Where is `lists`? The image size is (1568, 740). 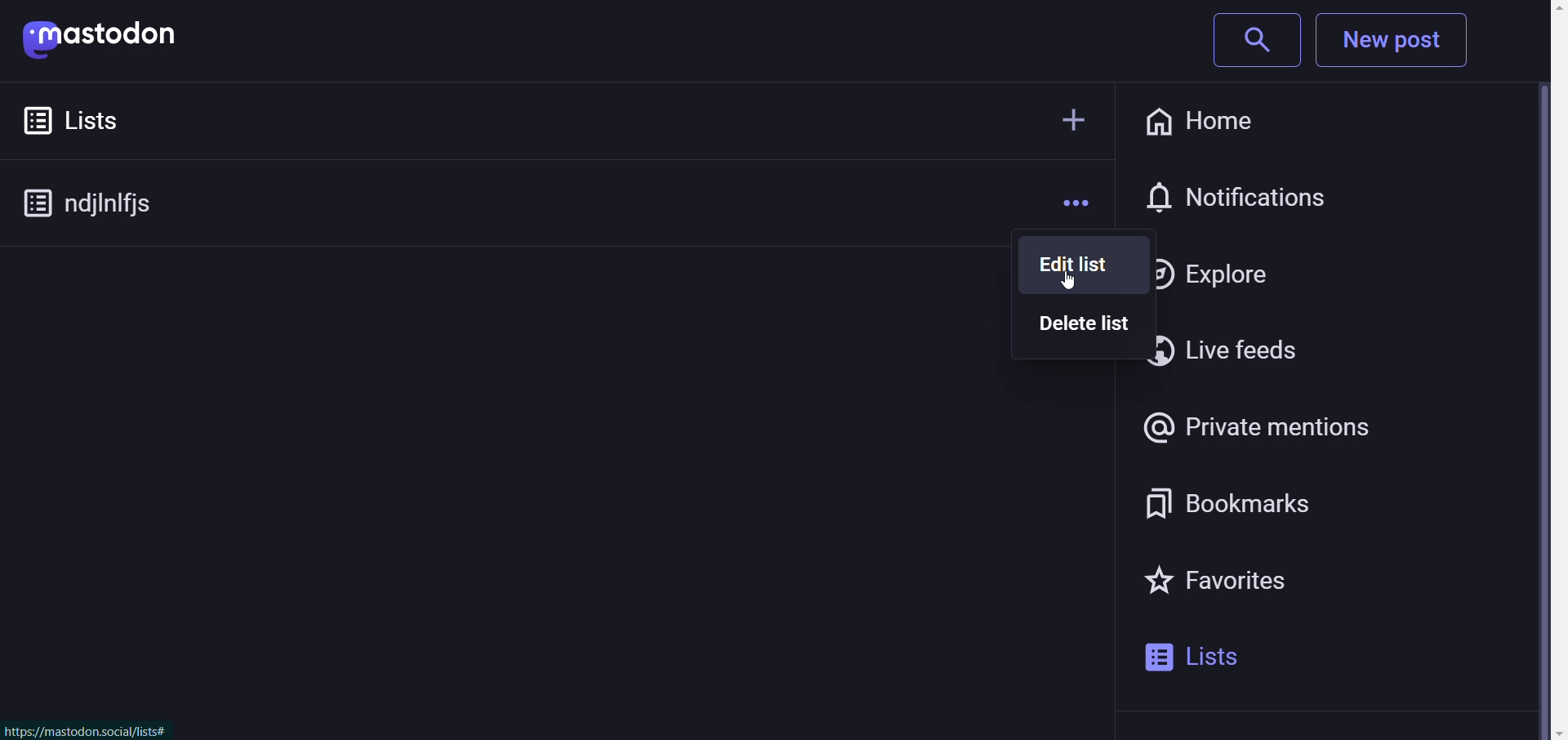
lists is located at coordinates (1201, 658).